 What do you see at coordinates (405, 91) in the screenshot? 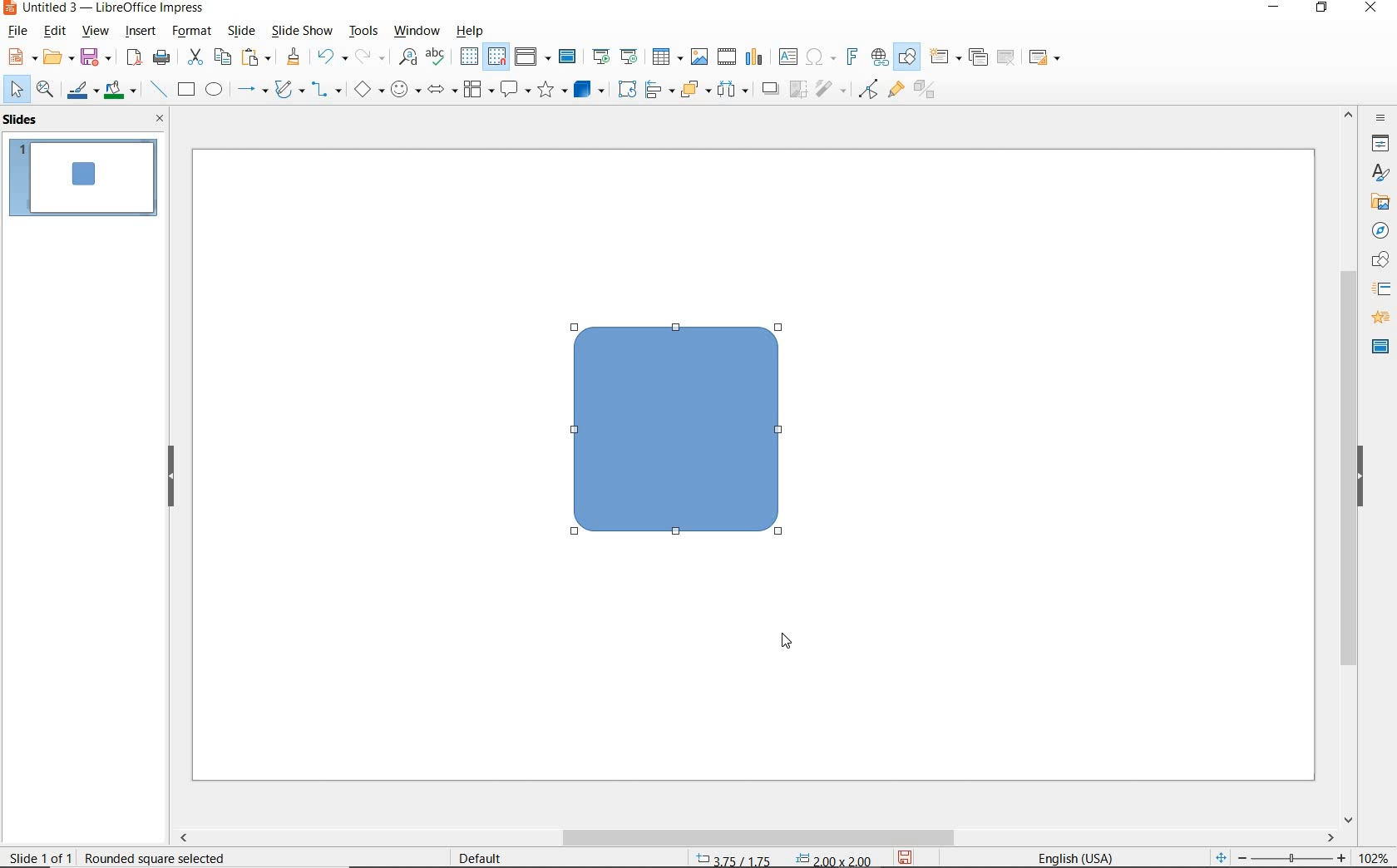
I see `symbol shapes` at bounding box center [405, 91].